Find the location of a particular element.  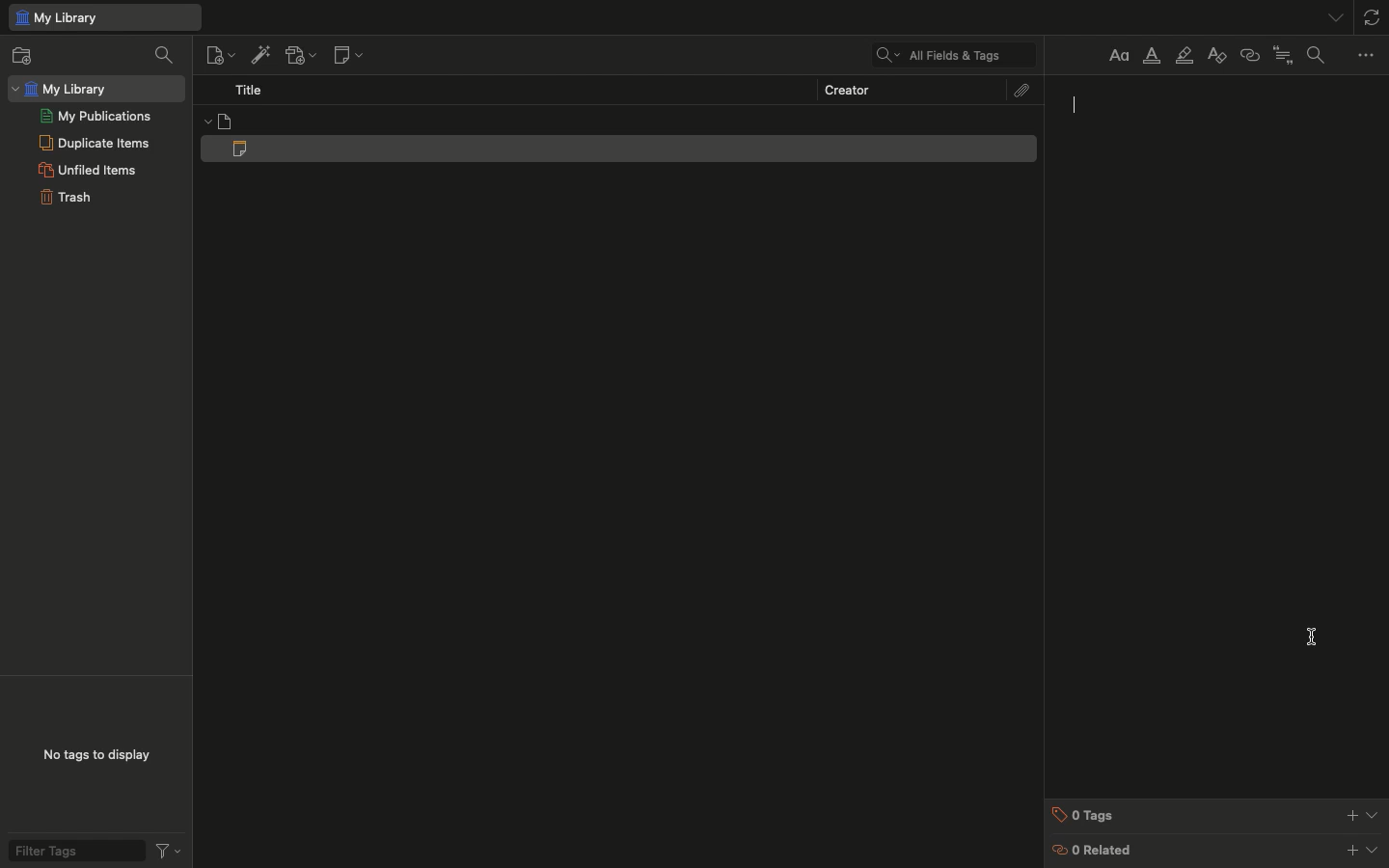

Filter collections is located at coordinates (164, 56).